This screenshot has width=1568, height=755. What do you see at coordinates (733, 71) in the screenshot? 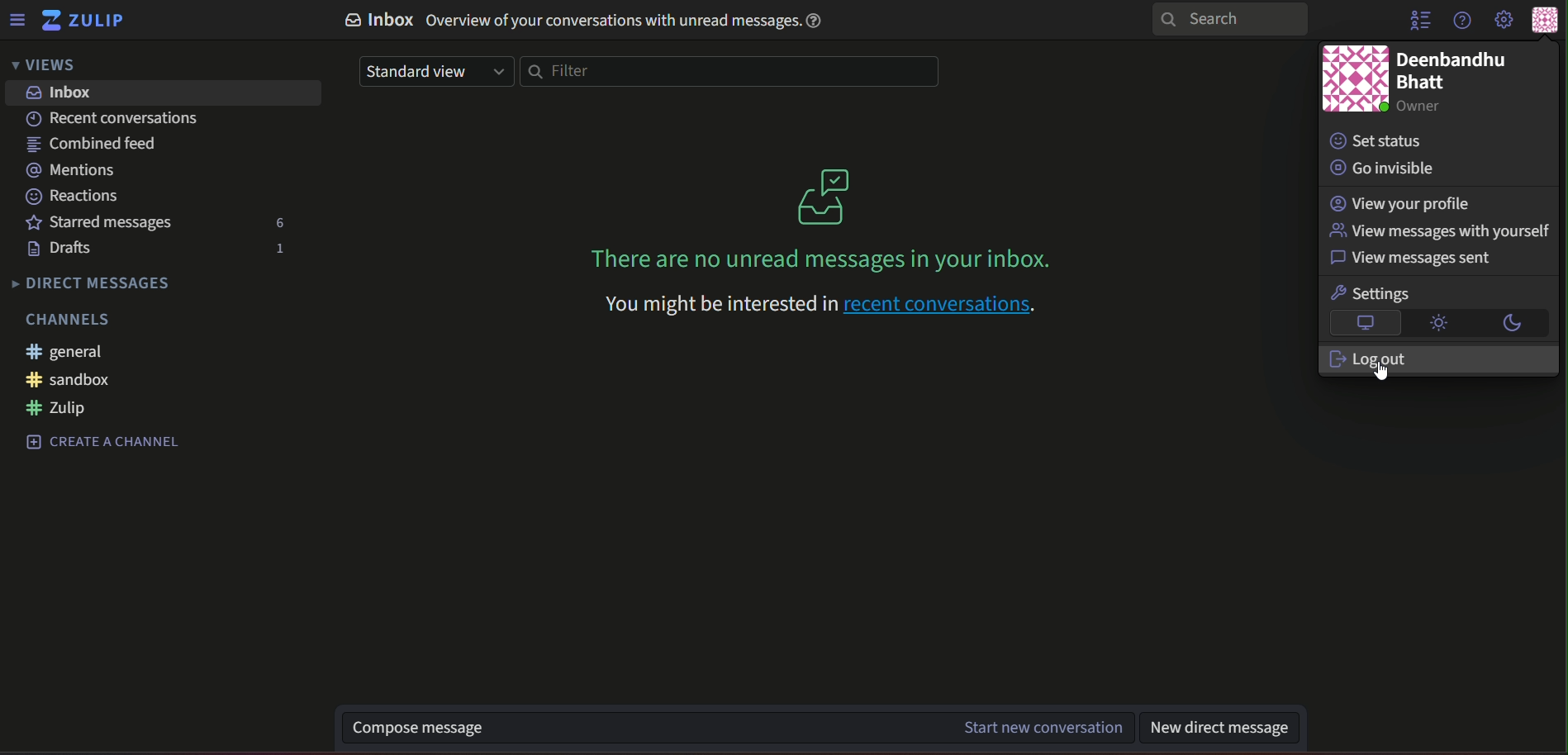
I see `filterbar` at bounding box center [733, 71].